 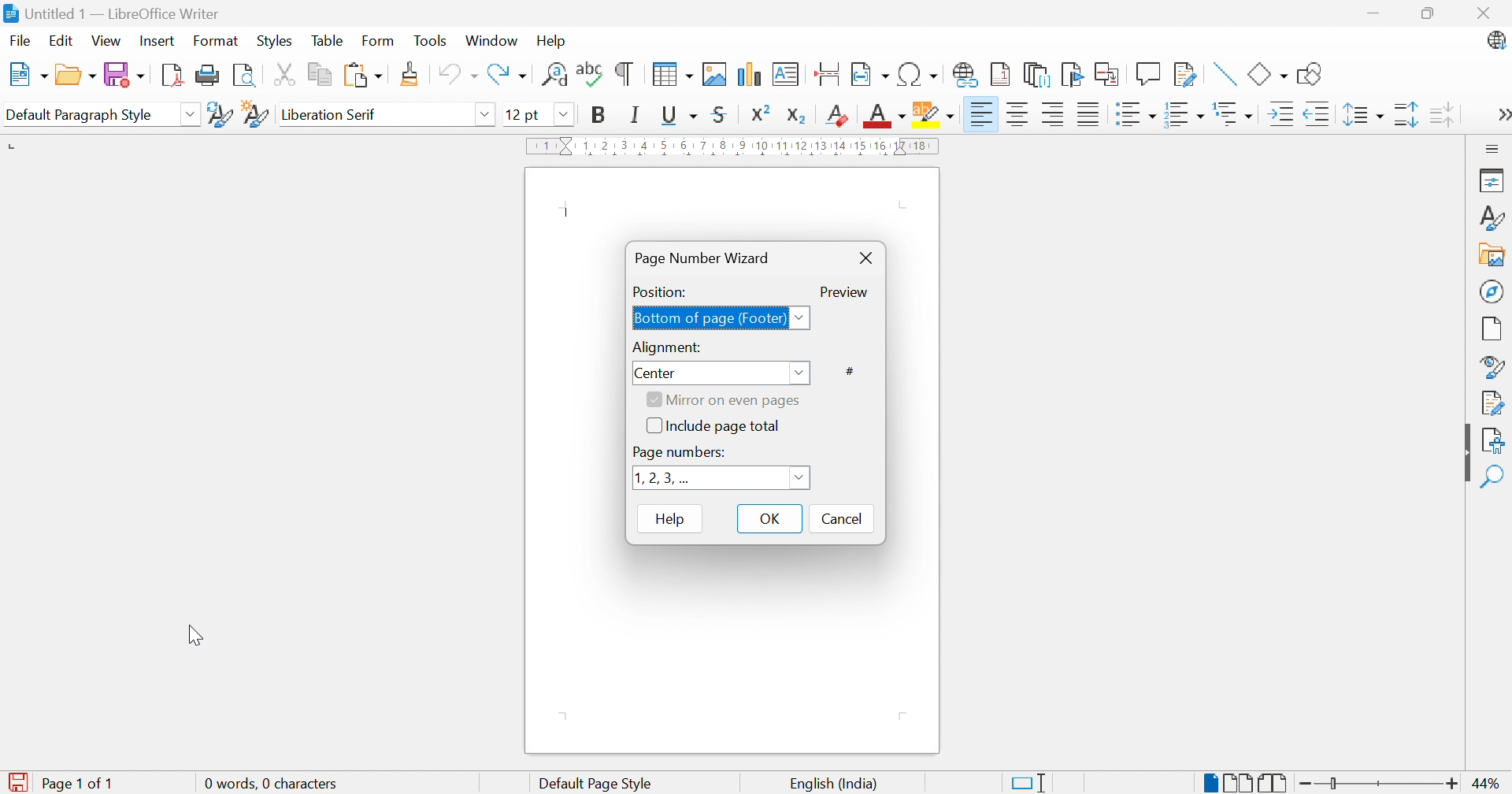 What do you see at coordinates (1376, 12) in the screenshot?
I see `Minimize` at bounding box center [1376, 12].